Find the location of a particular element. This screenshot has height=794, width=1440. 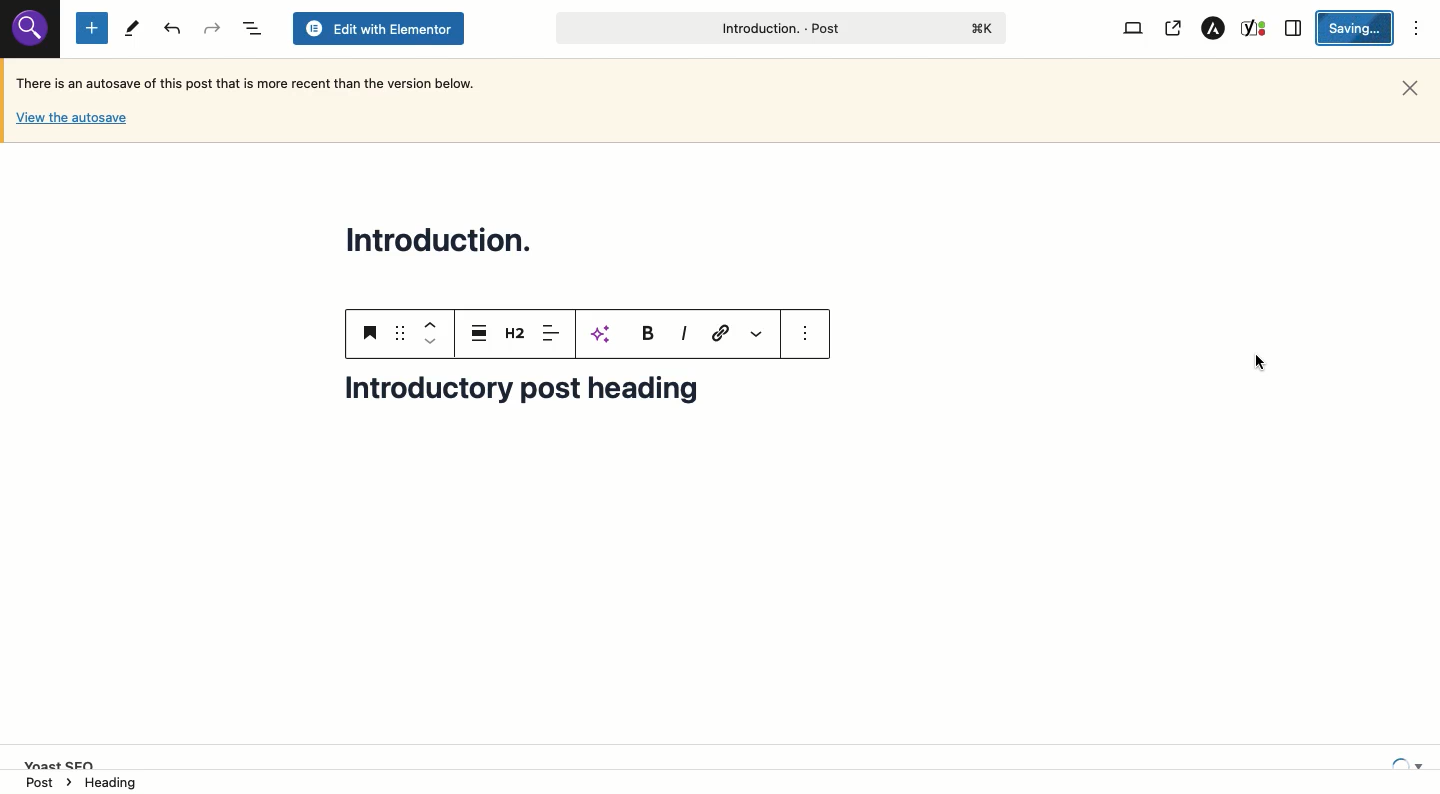

View autosave is located at coordinates (71, 121).